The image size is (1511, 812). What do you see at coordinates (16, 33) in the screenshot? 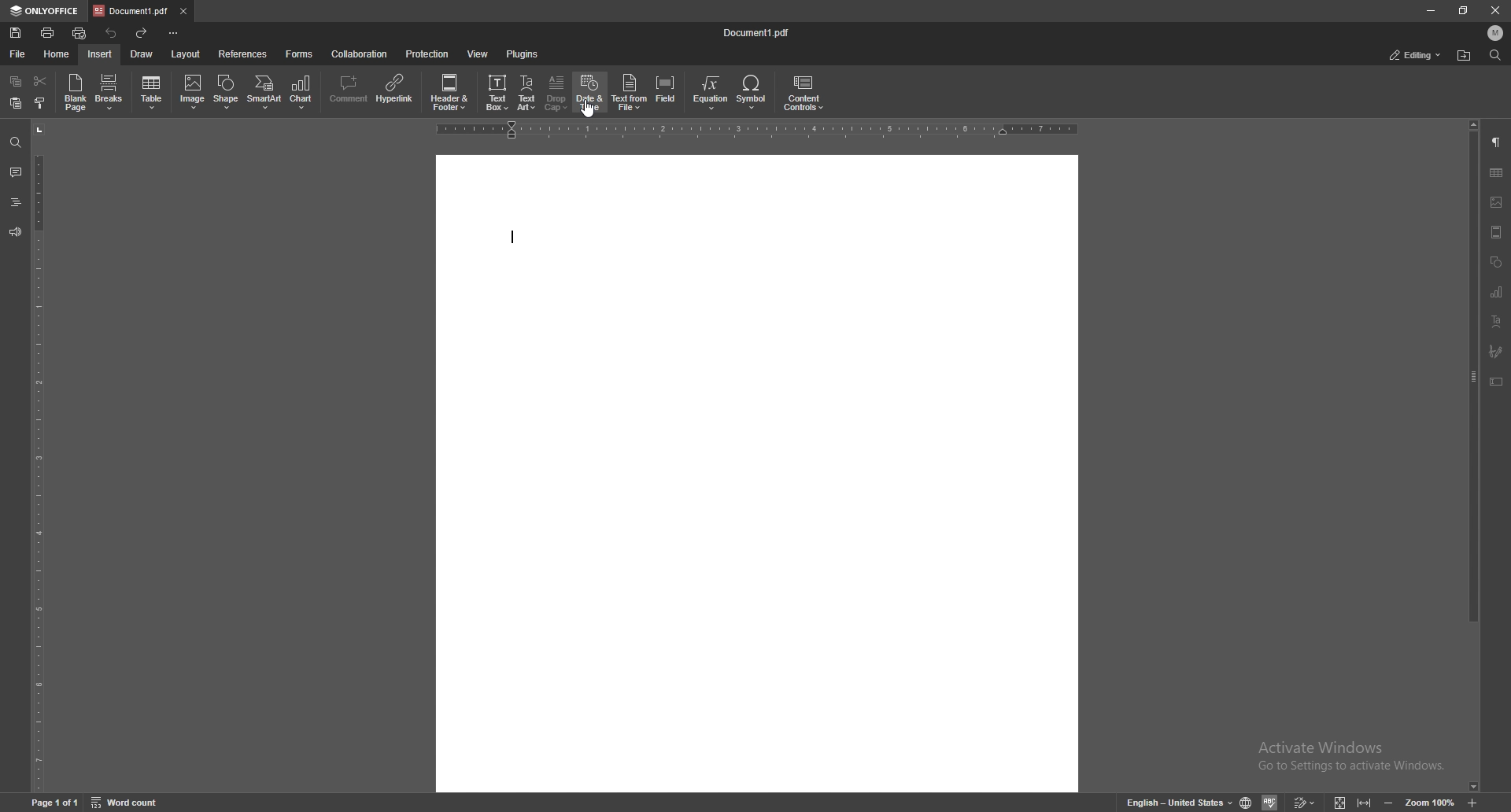
I see `save` at bounding box center [16, 33].